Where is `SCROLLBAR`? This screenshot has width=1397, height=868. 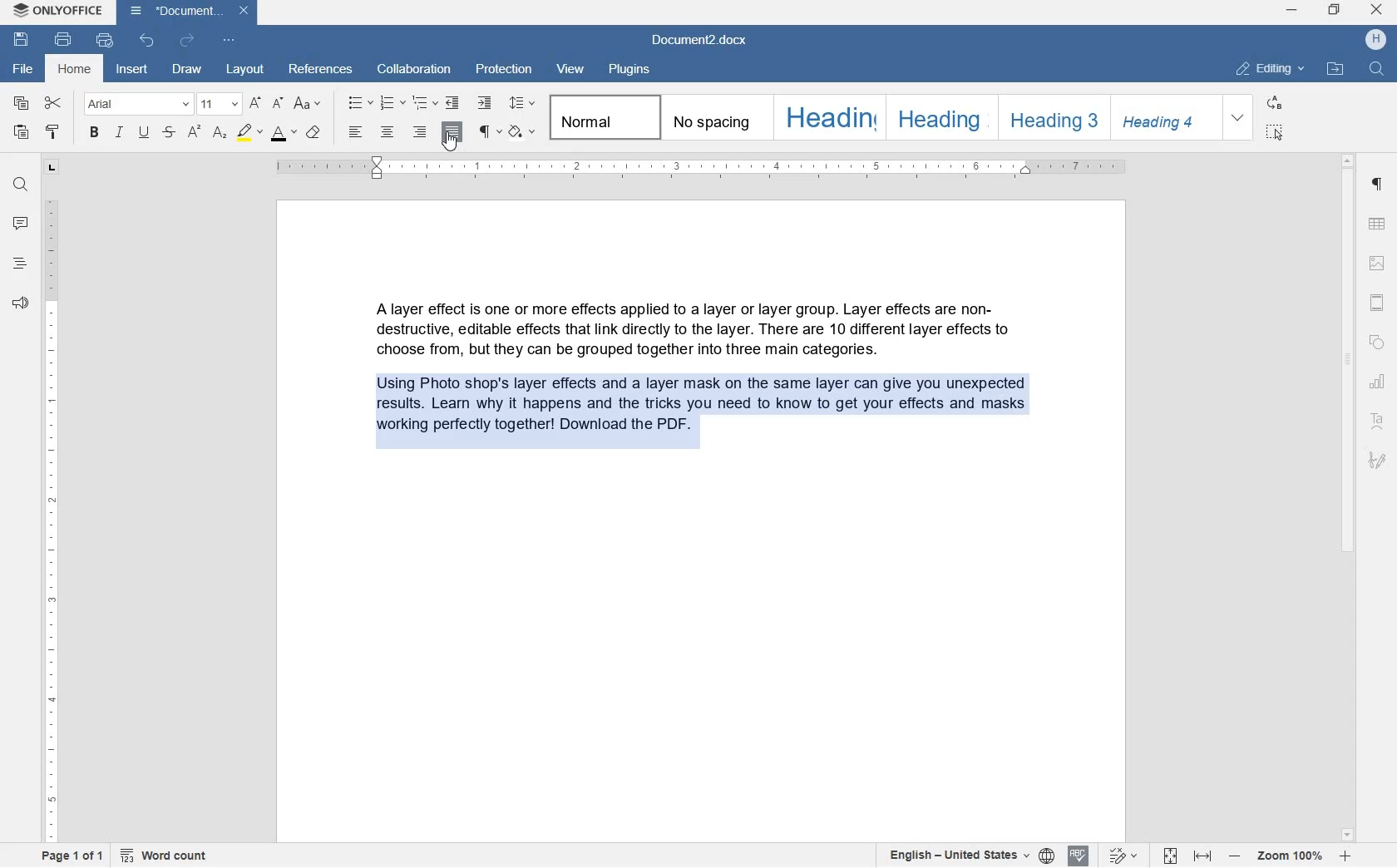
SCROLLBAR is located at coordinates (1348, 498).